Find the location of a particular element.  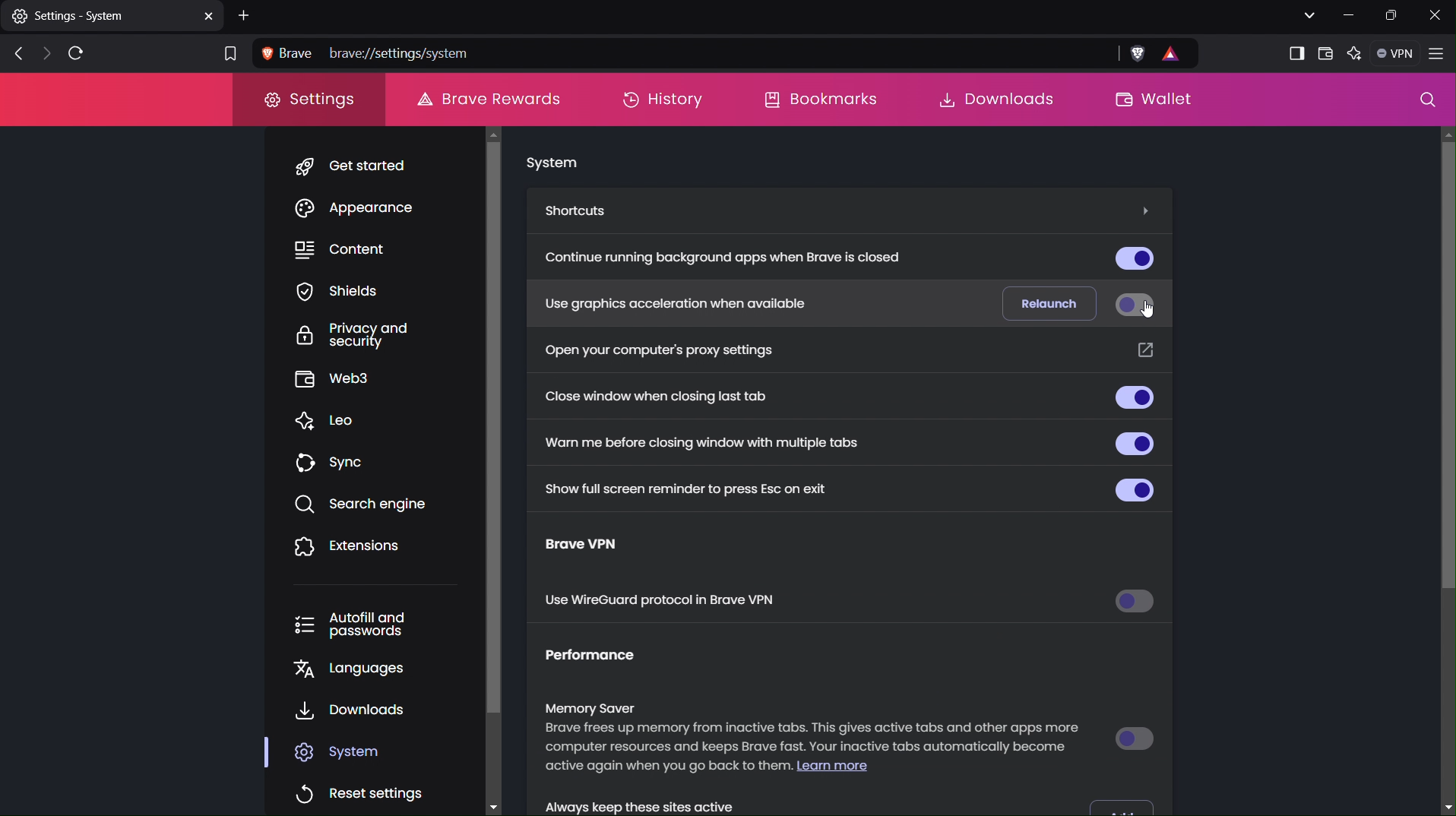

Leo AI is located at coordinates (1353, 55).